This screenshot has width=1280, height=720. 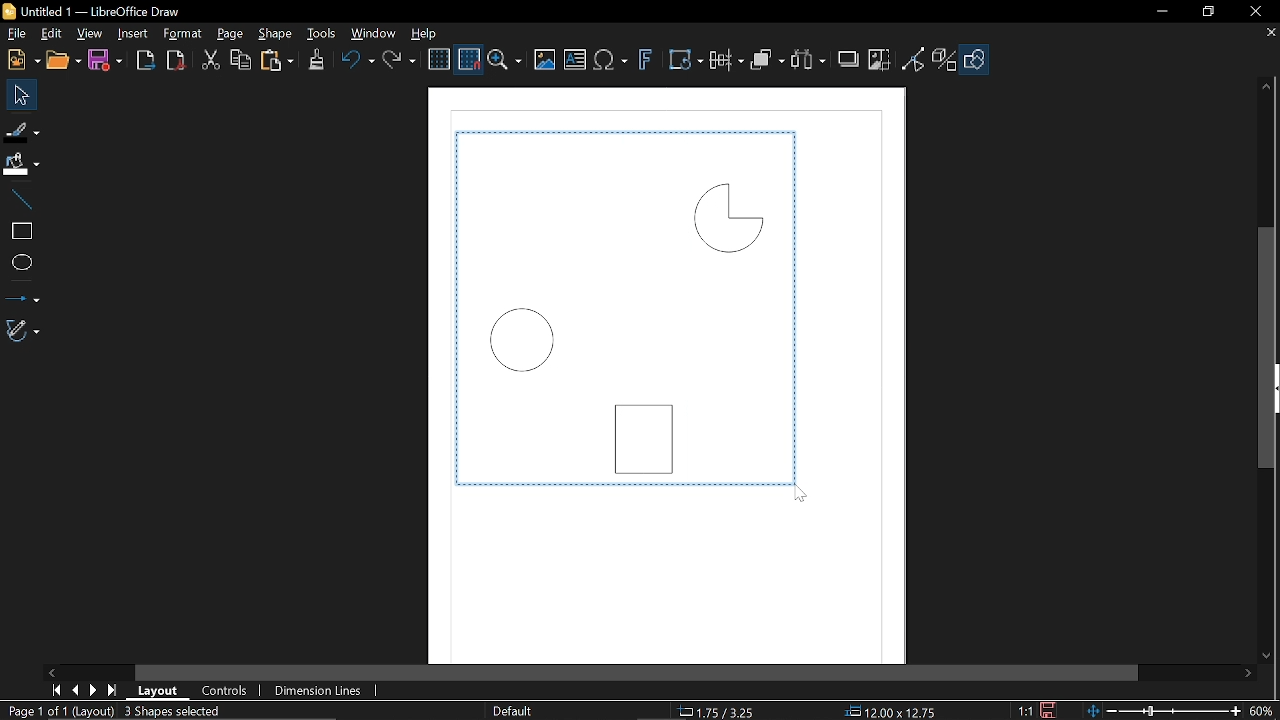 I want to click on Export pdf, so click(x=174, y=61).